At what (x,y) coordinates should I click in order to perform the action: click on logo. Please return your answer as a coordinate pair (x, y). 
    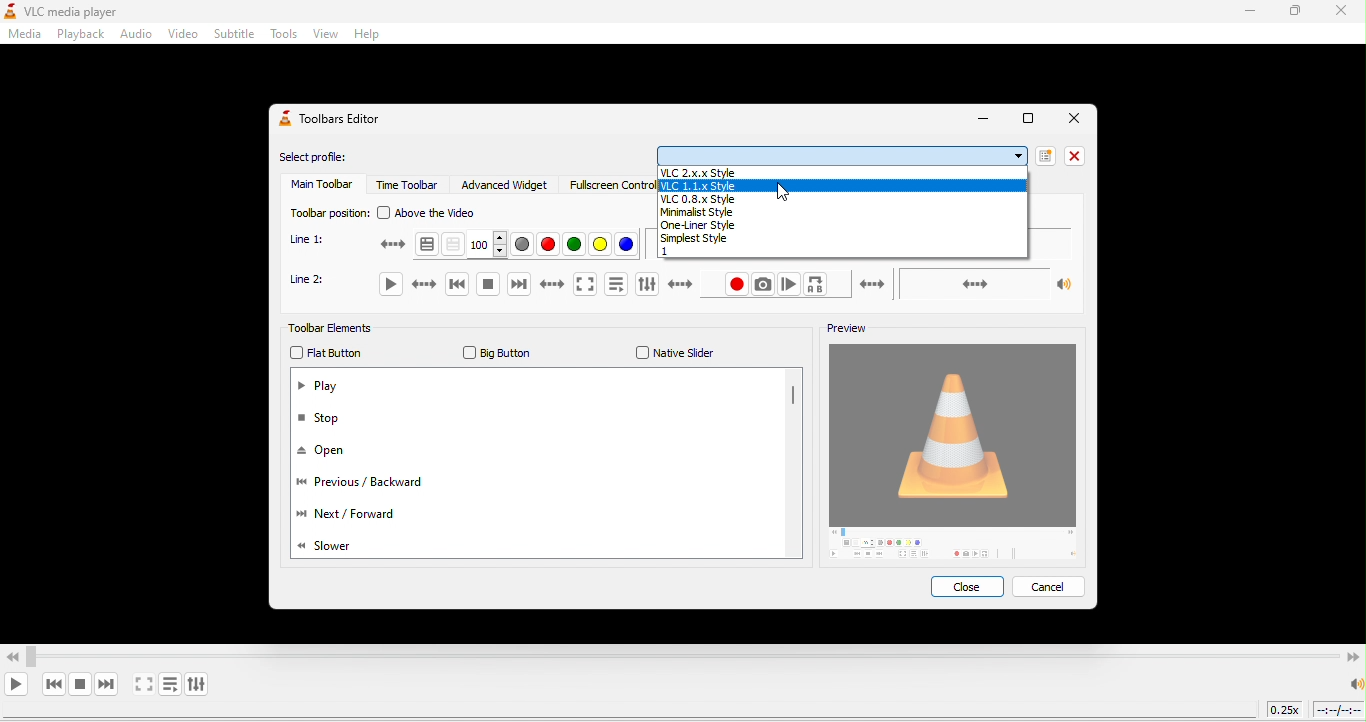
    Looking at the image, I should click on (9, 12).